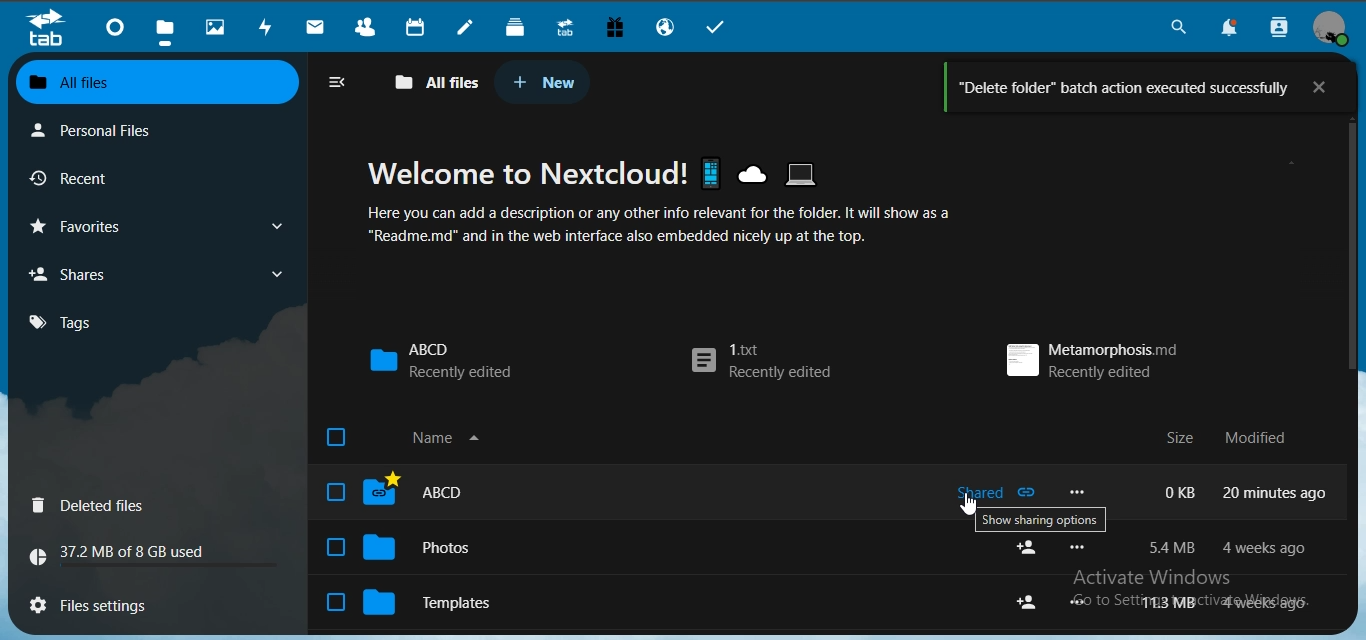 The width and height of the screenshot is (1366, 640). I want to click on shared, so click(999, 496).